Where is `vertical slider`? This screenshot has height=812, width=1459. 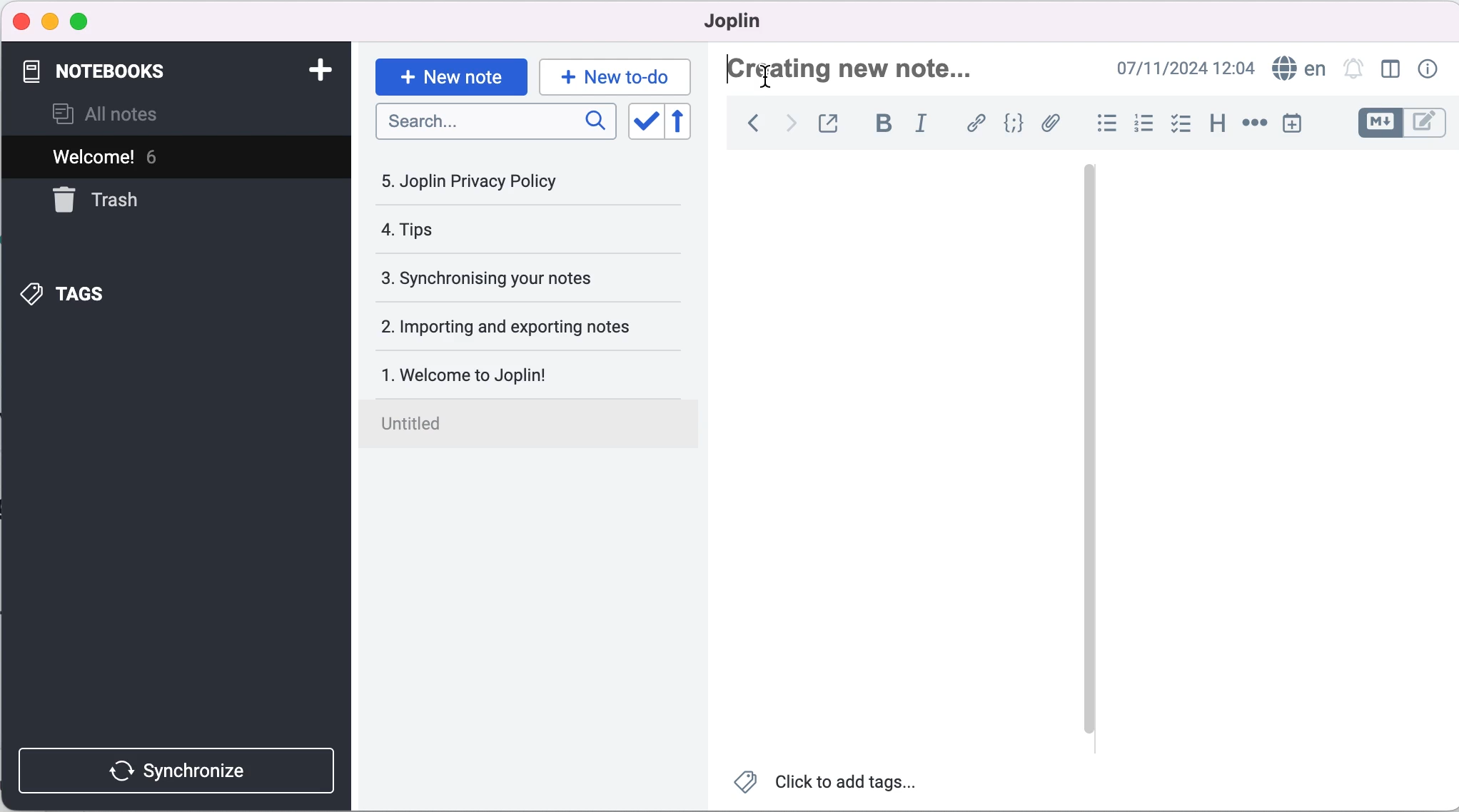 vertical slider is located at coordinates (1089, 450).